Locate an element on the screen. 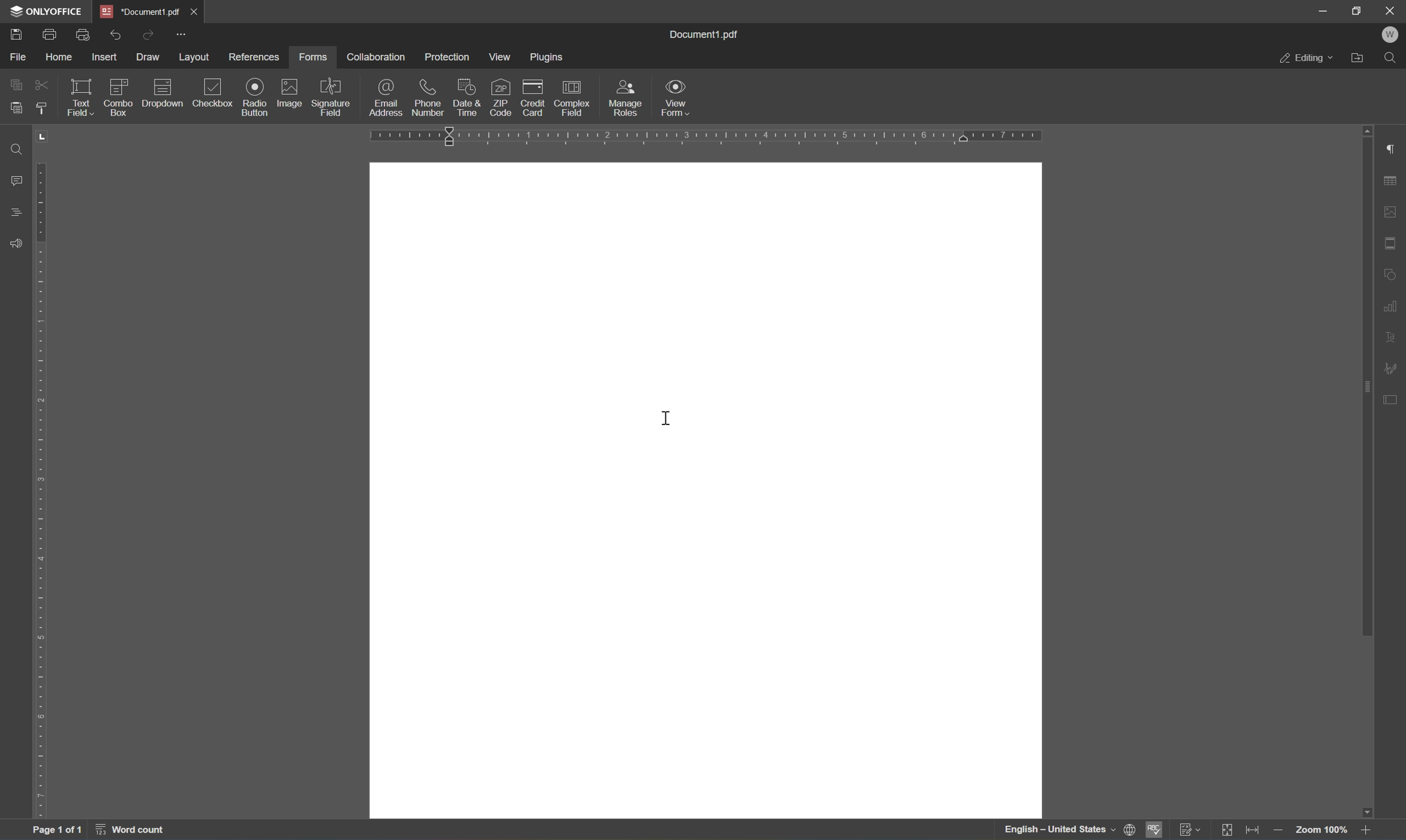 The height and width of the screenshot is (840, 1406). word count is located at coordinates (132, 830).